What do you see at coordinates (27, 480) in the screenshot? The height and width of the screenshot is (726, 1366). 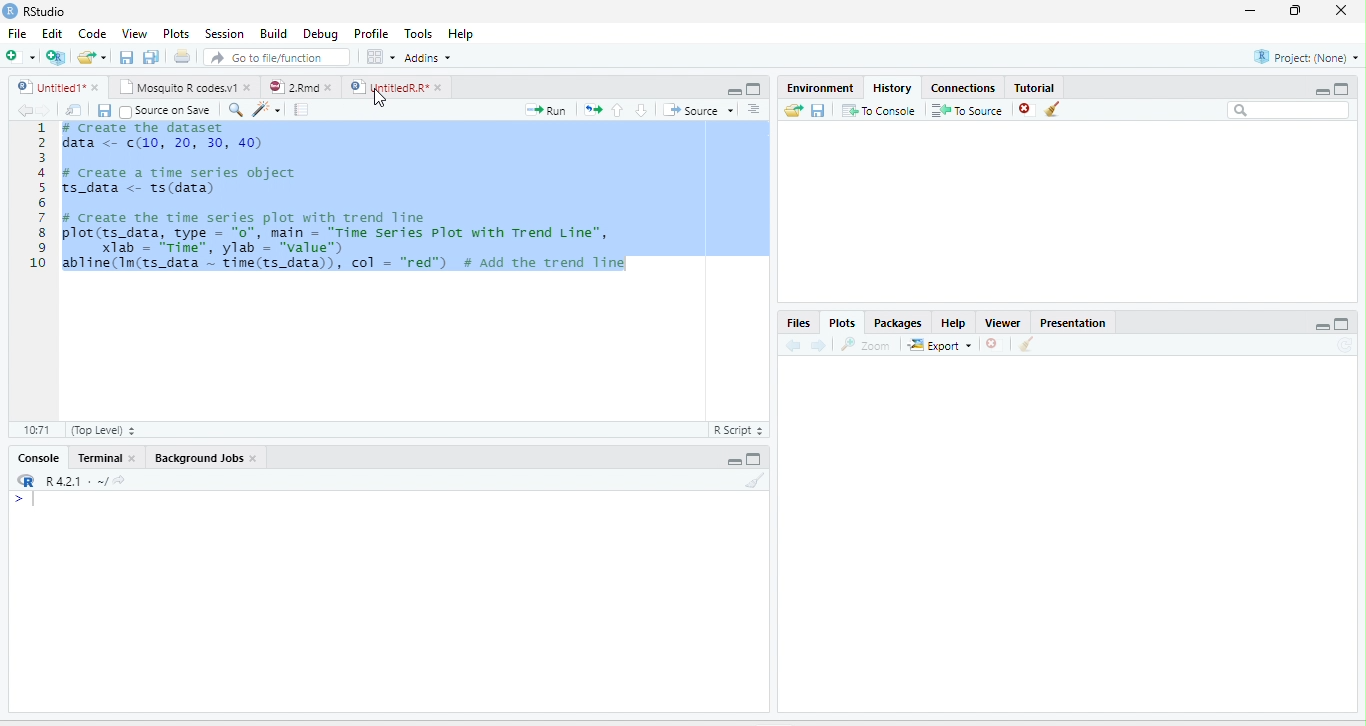 I see `R` at bounding box center [27, 480].